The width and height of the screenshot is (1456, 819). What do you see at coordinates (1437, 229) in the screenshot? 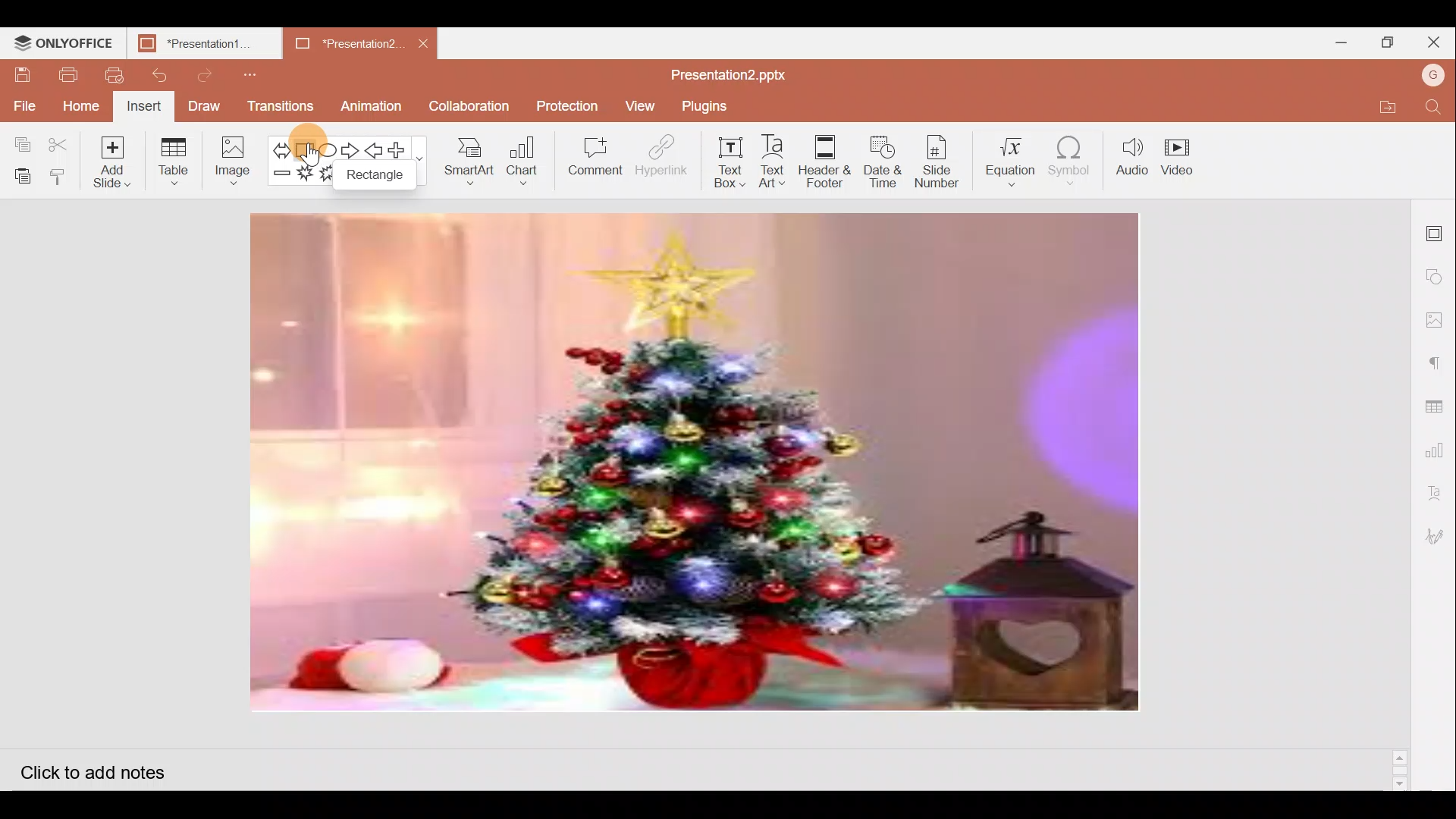
I see `Slide settings` at bounding box center [1437, 229].